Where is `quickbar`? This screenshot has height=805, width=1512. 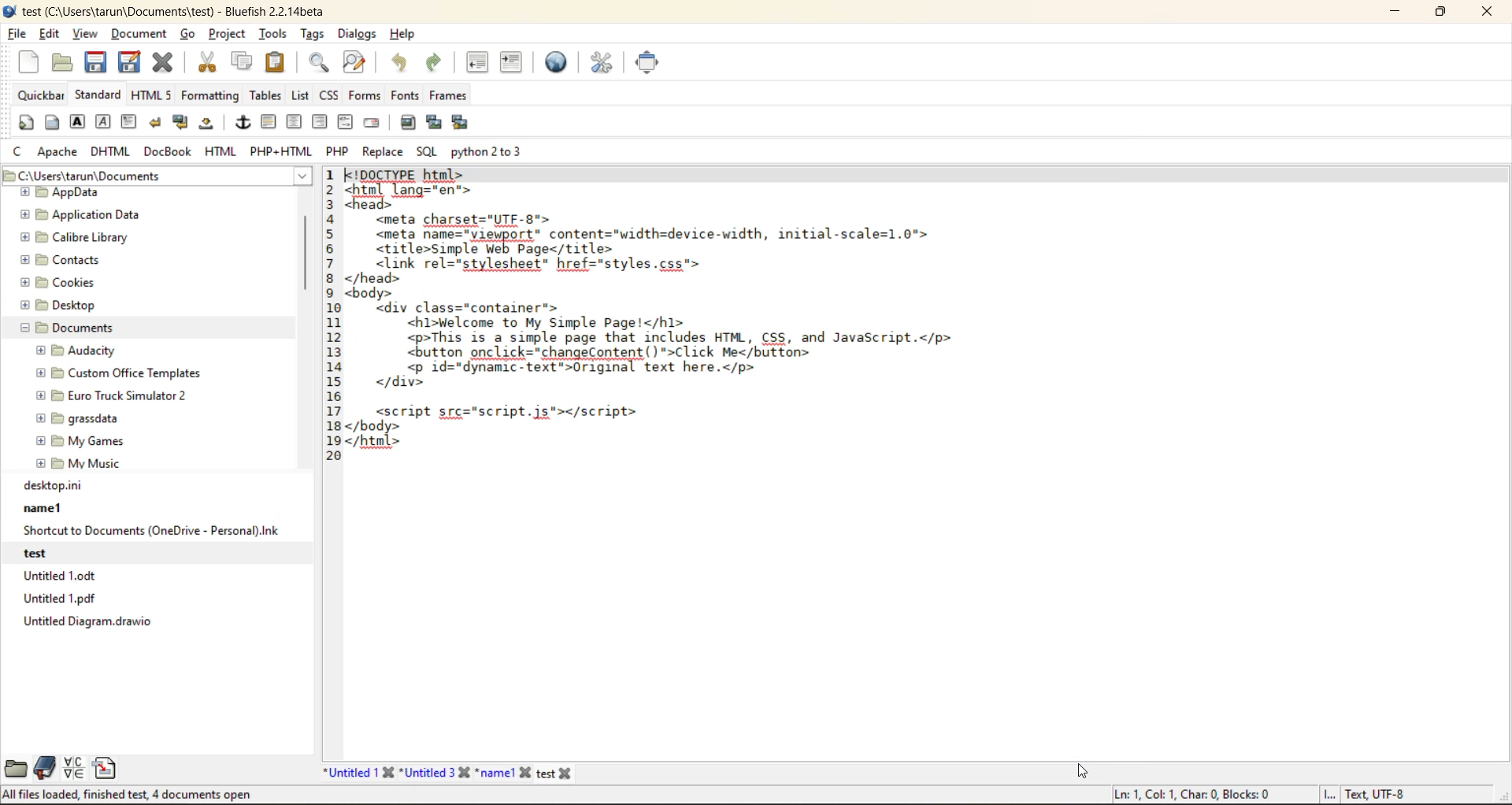 quickbar is located at coordinates (40, 95).